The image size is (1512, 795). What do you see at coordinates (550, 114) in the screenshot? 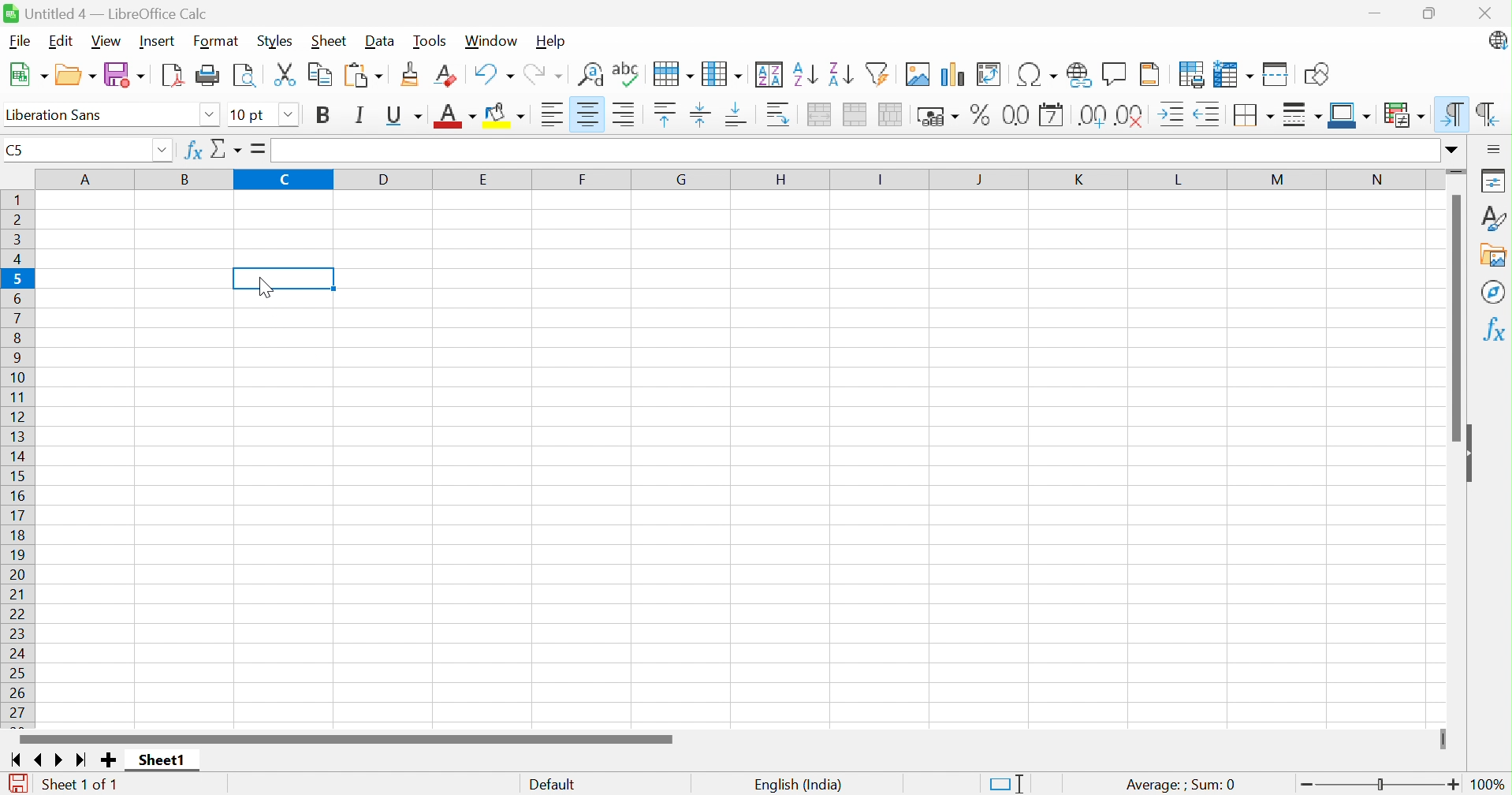
I see `Align Left` at bounding box center [550, 114].